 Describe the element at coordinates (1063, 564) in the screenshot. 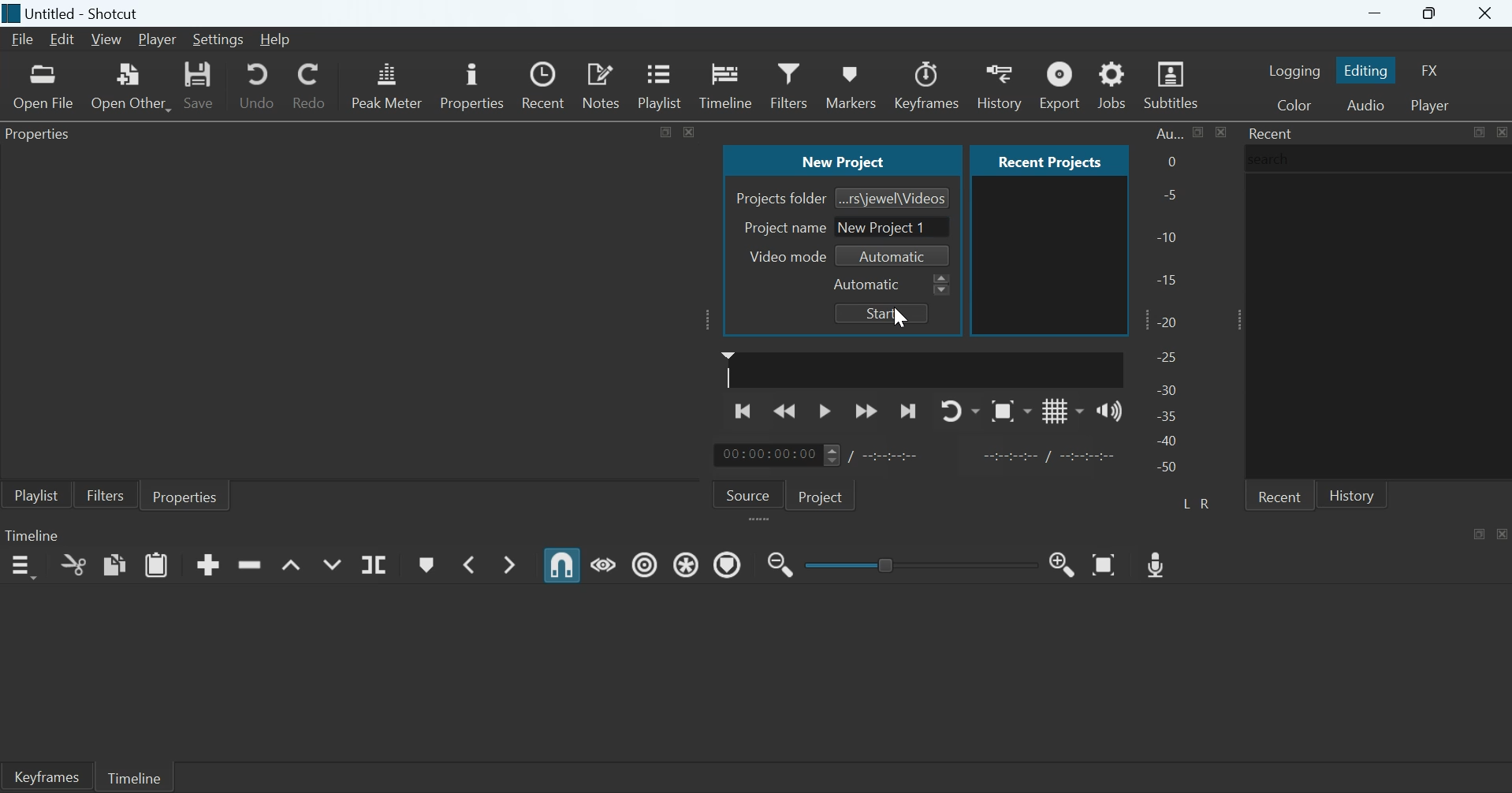

I see `Zoom timeline out` at that location.